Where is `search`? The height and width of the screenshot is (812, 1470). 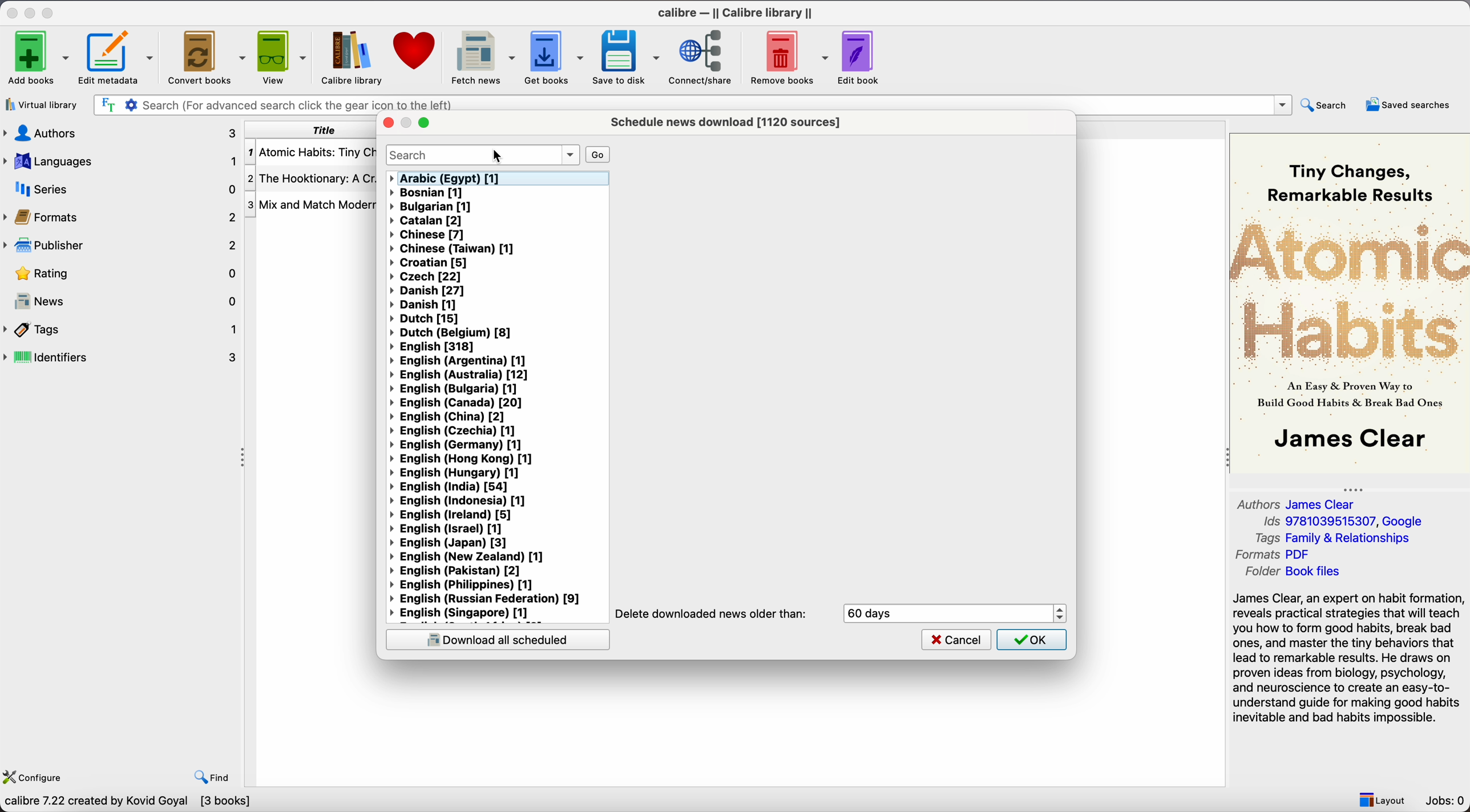 search is located at coordinates (1326, 106).